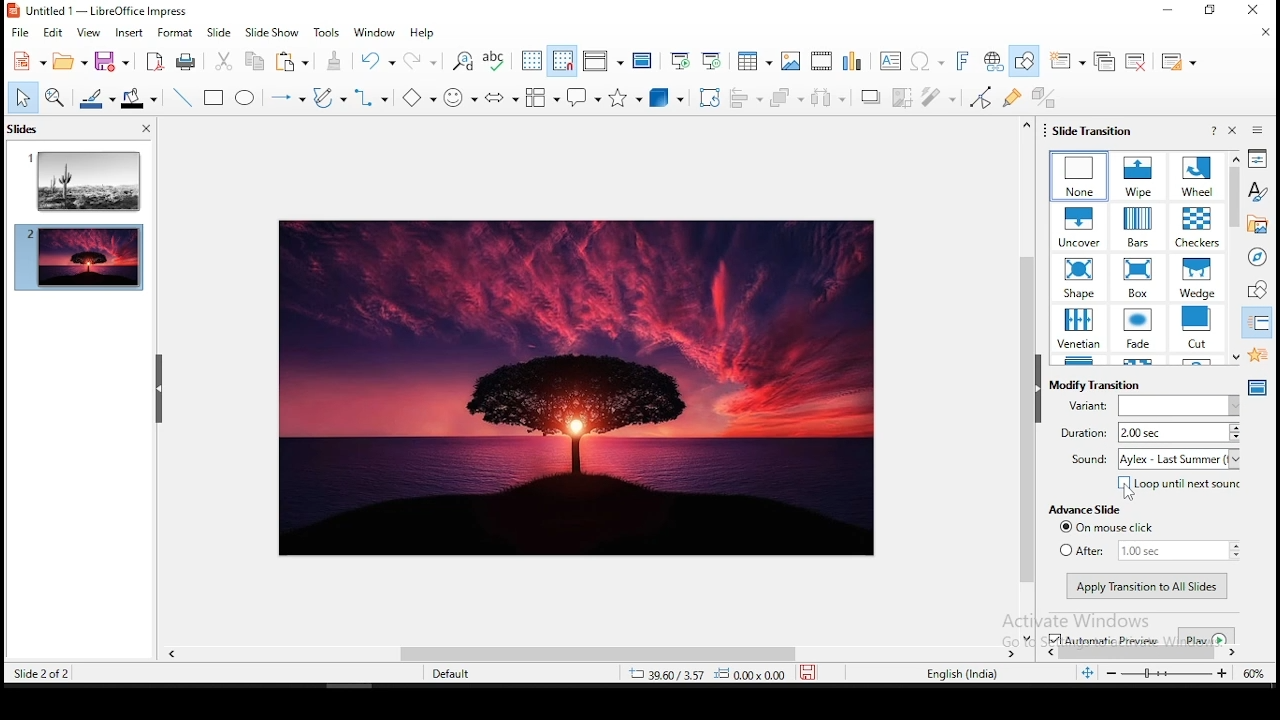 The width and height of the screenshot is (1280, 720). I want to click on arrange, so click(790, 98).